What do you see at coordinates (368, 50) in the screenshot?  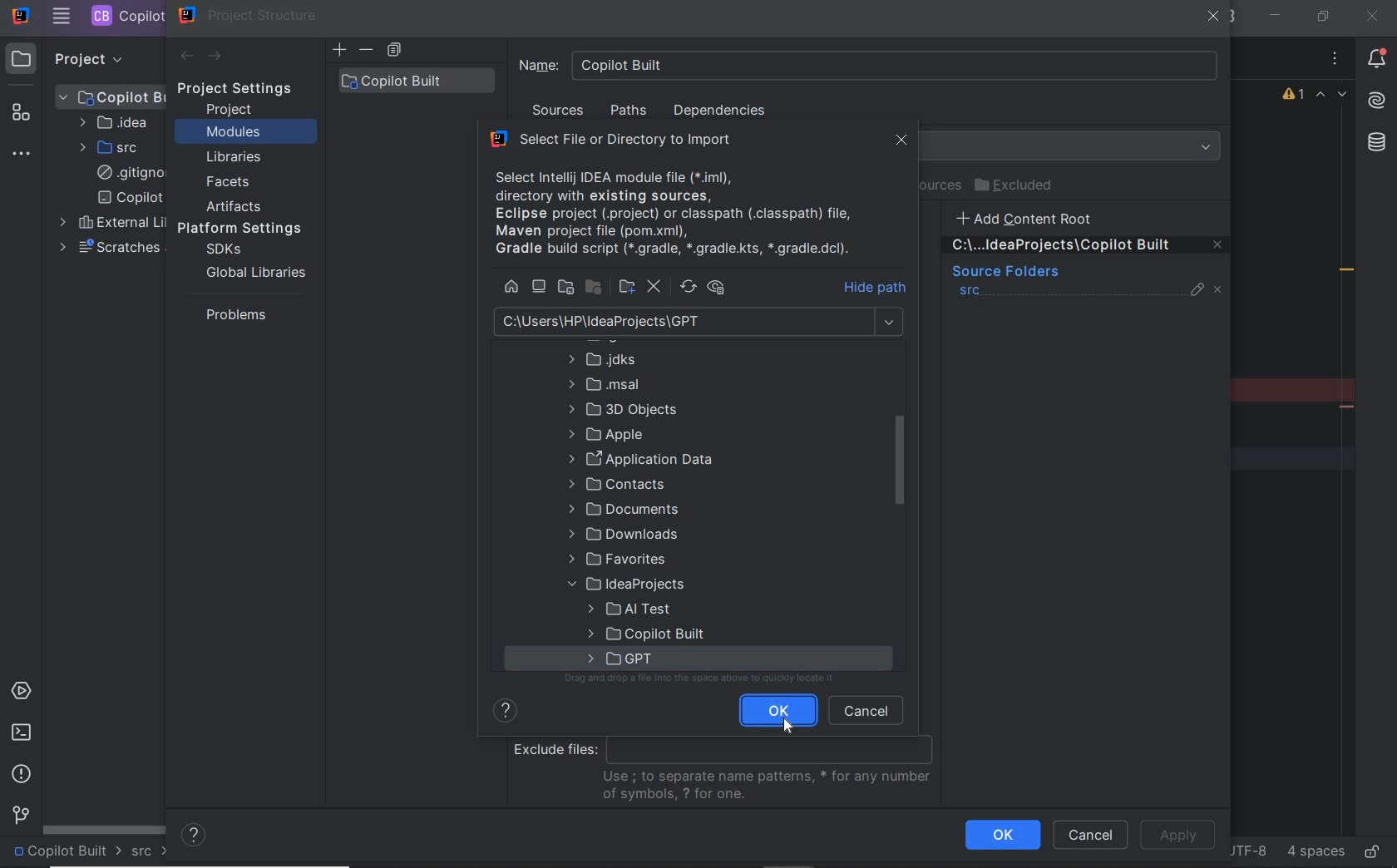 I see `delete` at bounding box center [368, 50].